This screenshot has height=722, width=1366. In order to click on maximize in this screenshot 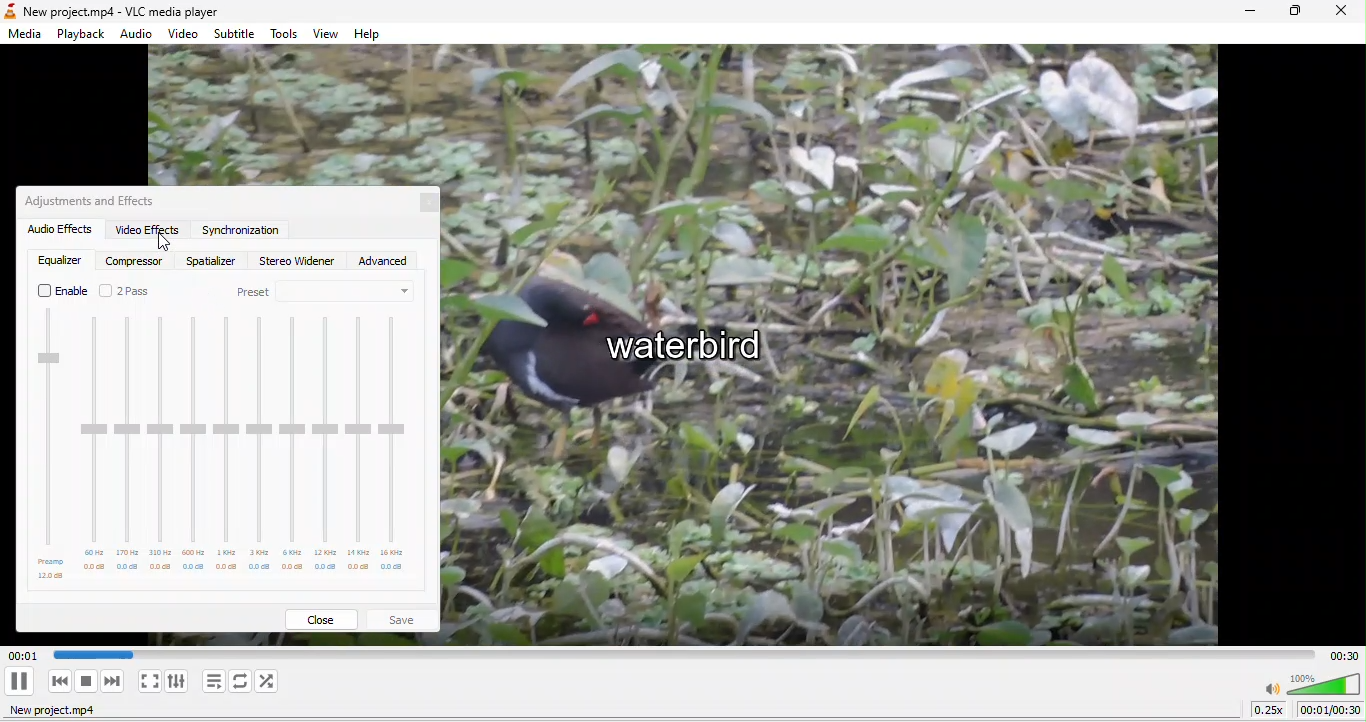, I will do `click(1290, 14)`.